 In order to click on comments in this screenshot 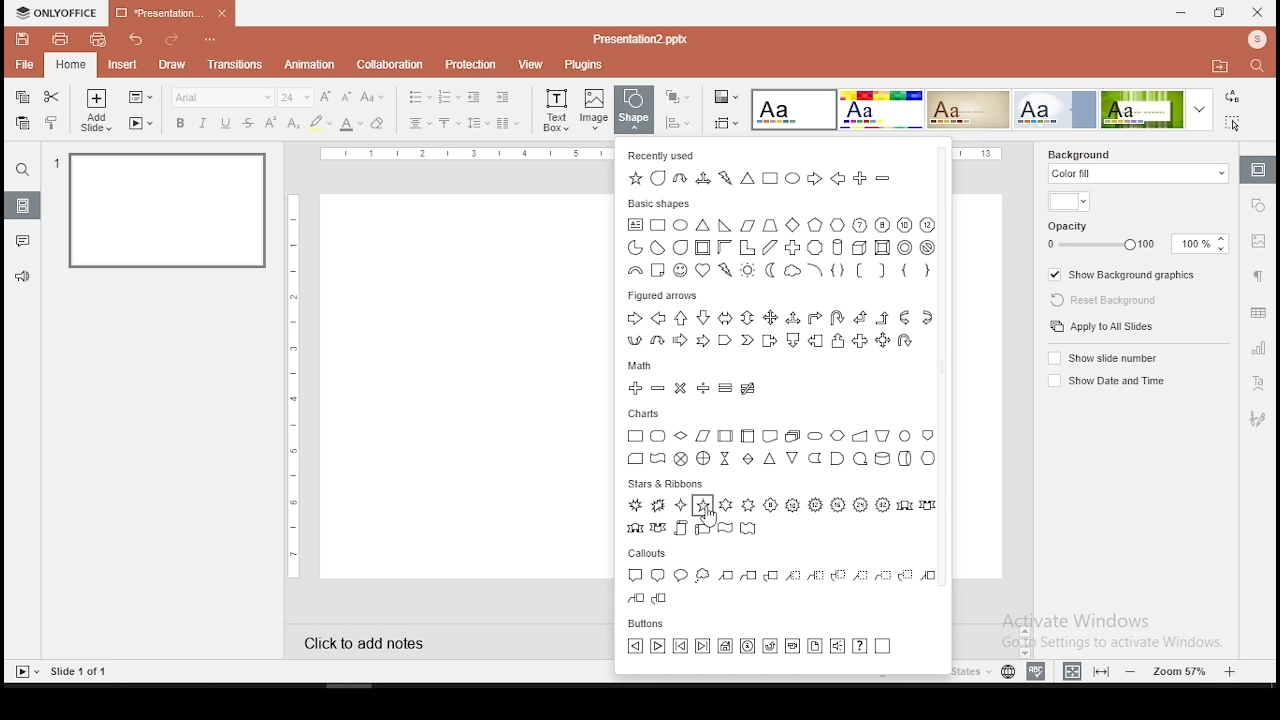, I will do `click(22, 241)`.